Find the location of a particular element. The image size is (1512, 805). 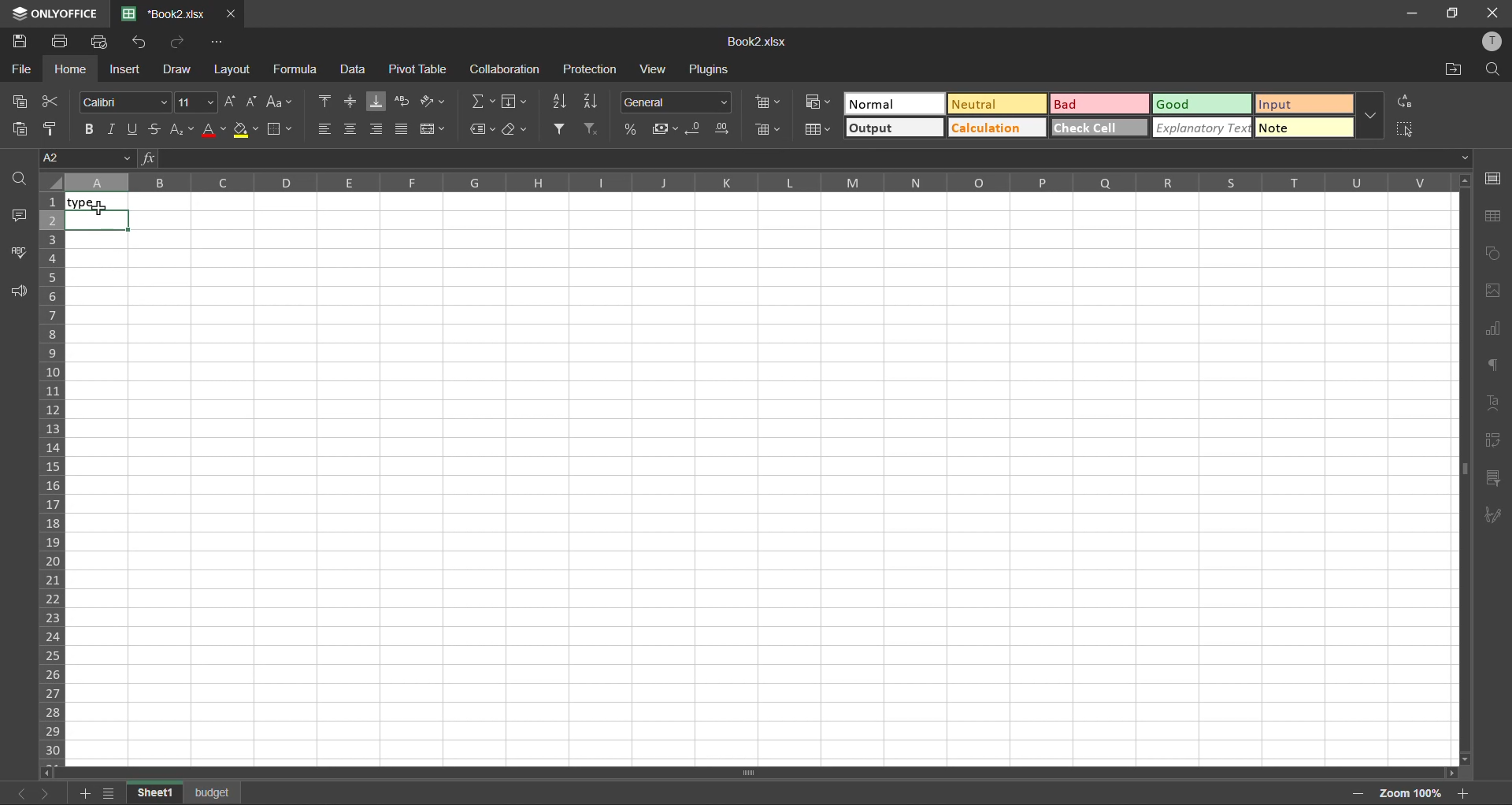

plugins is located at coordinates (715, 70).